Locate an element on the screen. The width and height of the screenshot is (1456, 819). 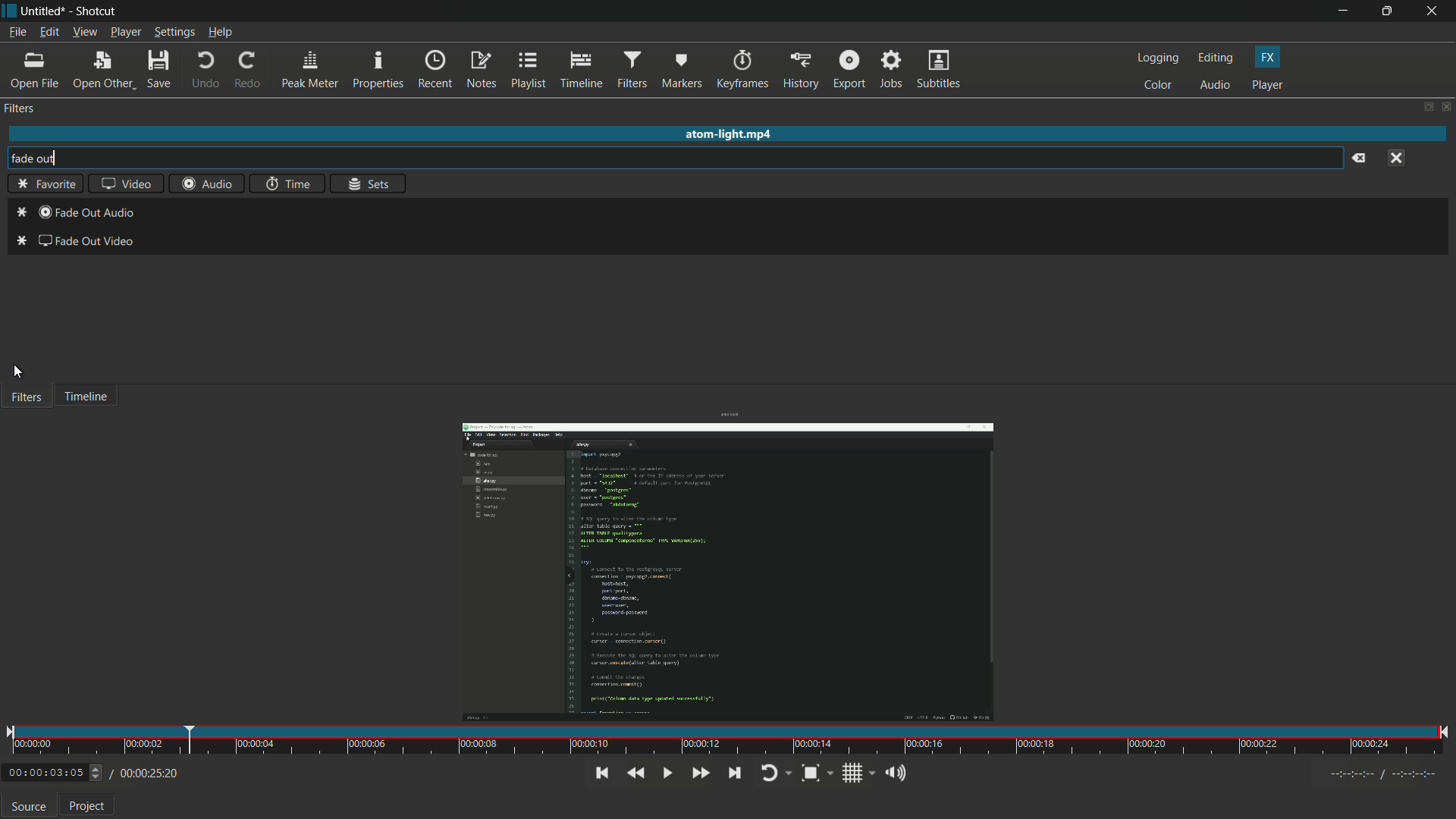
toggle zoom is located at coordinates (809, 773).